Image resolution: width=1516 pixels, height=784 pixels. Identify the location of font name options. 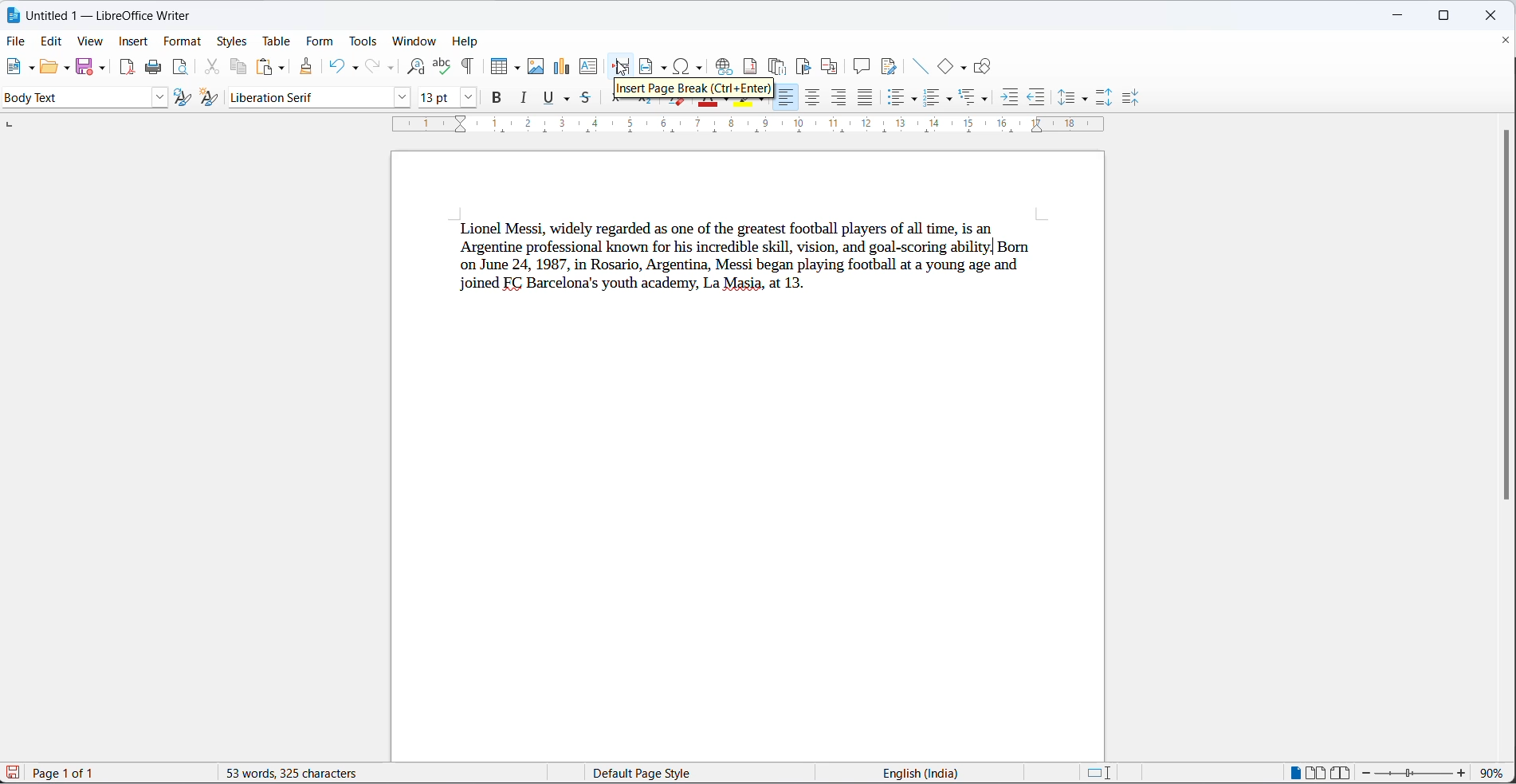
(401, 99).